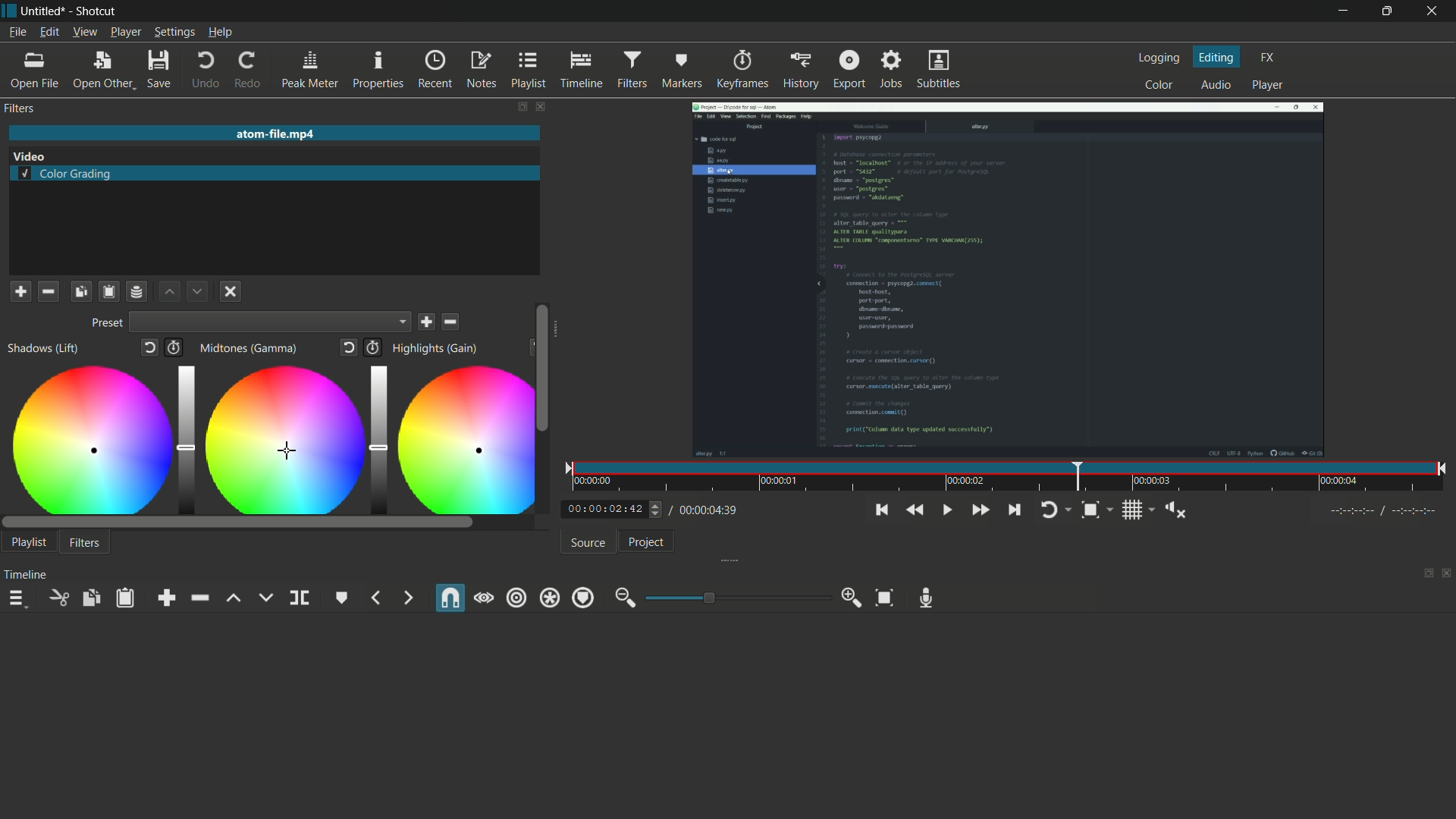  I want to click on minimize, so click(1338, 12).